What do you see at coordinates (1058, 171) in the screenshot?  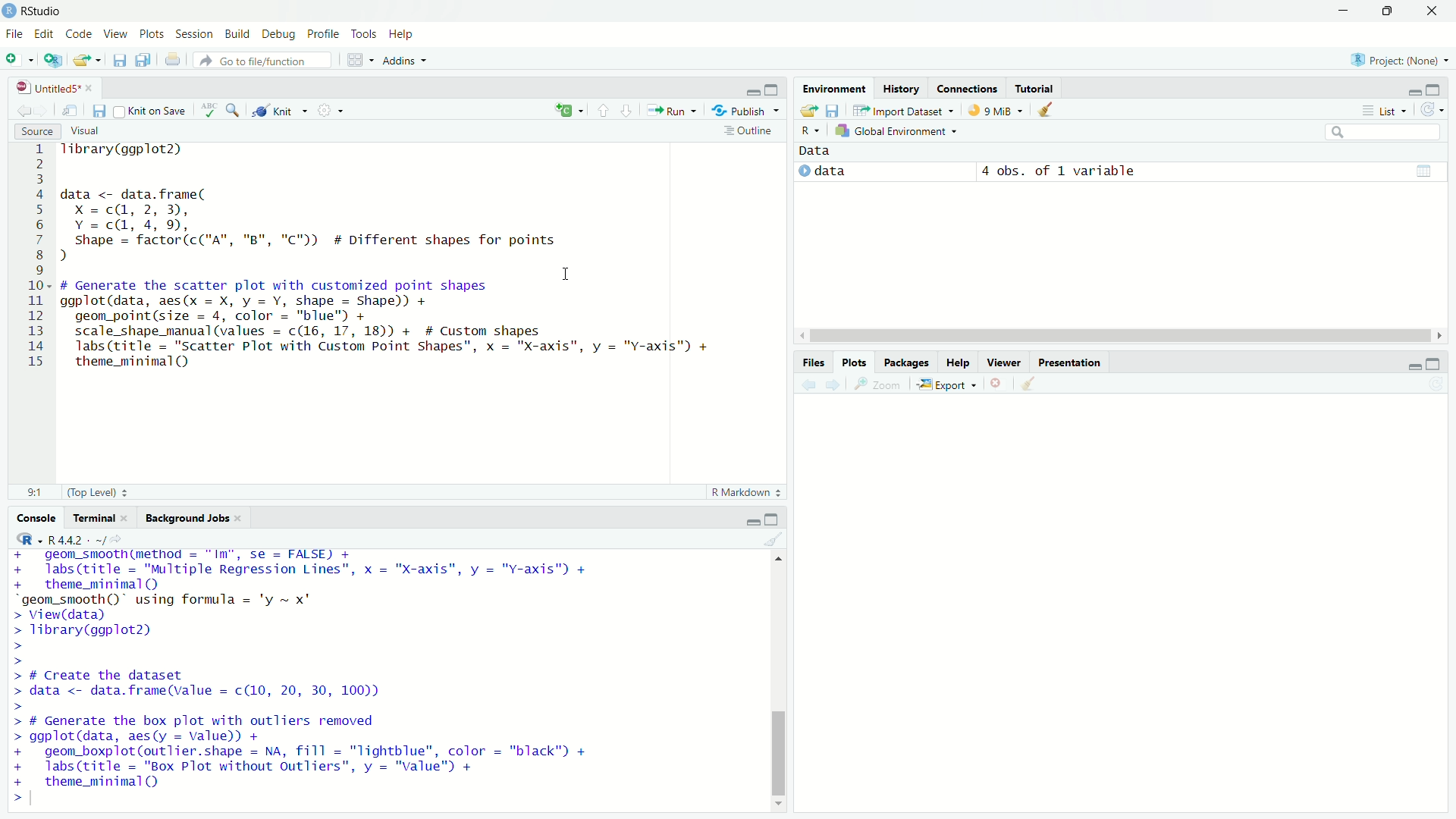 I see `4 obs. of 1 variable` at bounding box center [1058, 171].